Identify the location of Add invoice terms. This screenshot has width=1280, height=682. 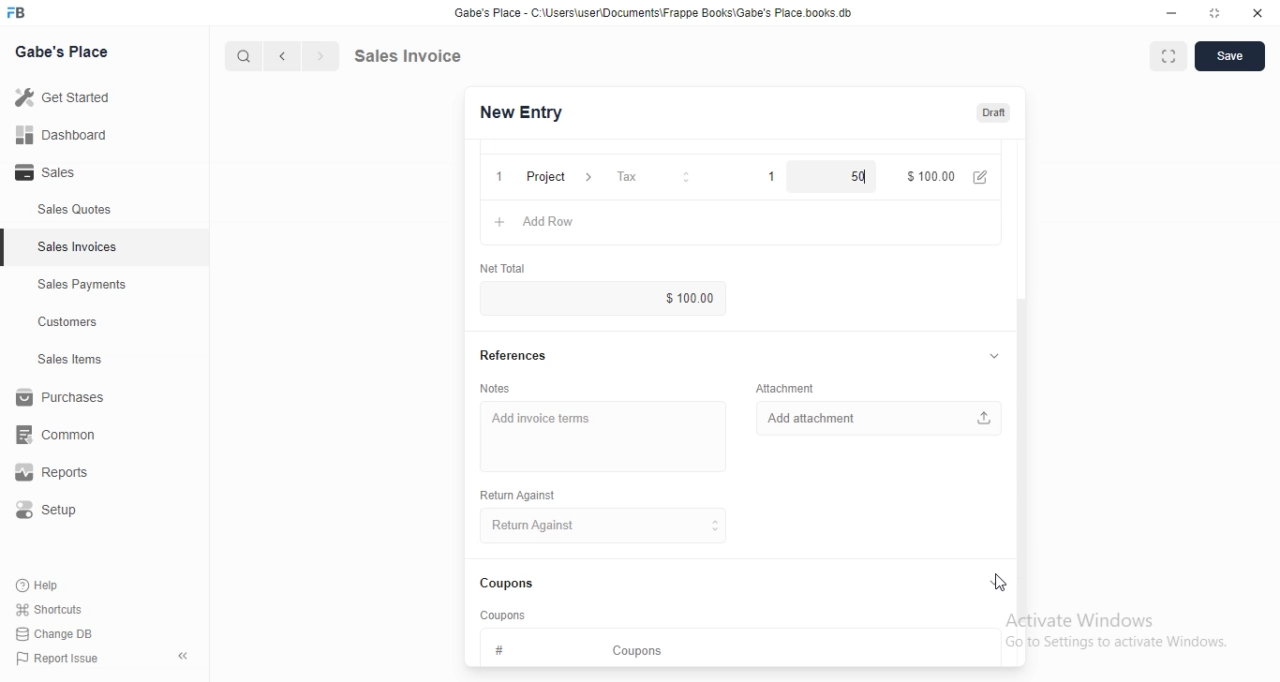
(602, 429).